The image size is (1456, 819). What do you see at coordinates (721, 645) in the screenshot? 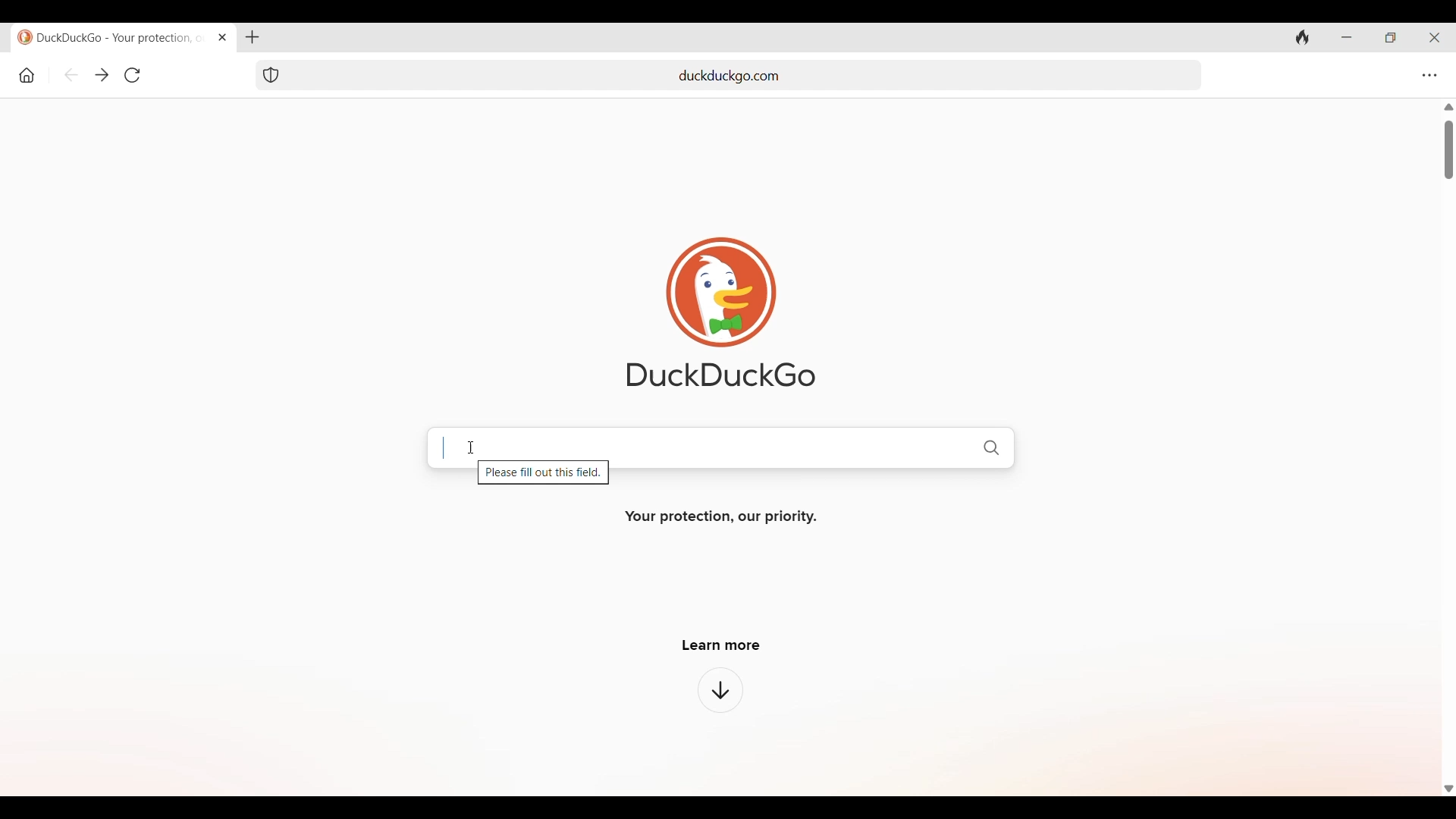
I see `Learn more` at bounding box center [721, 645].